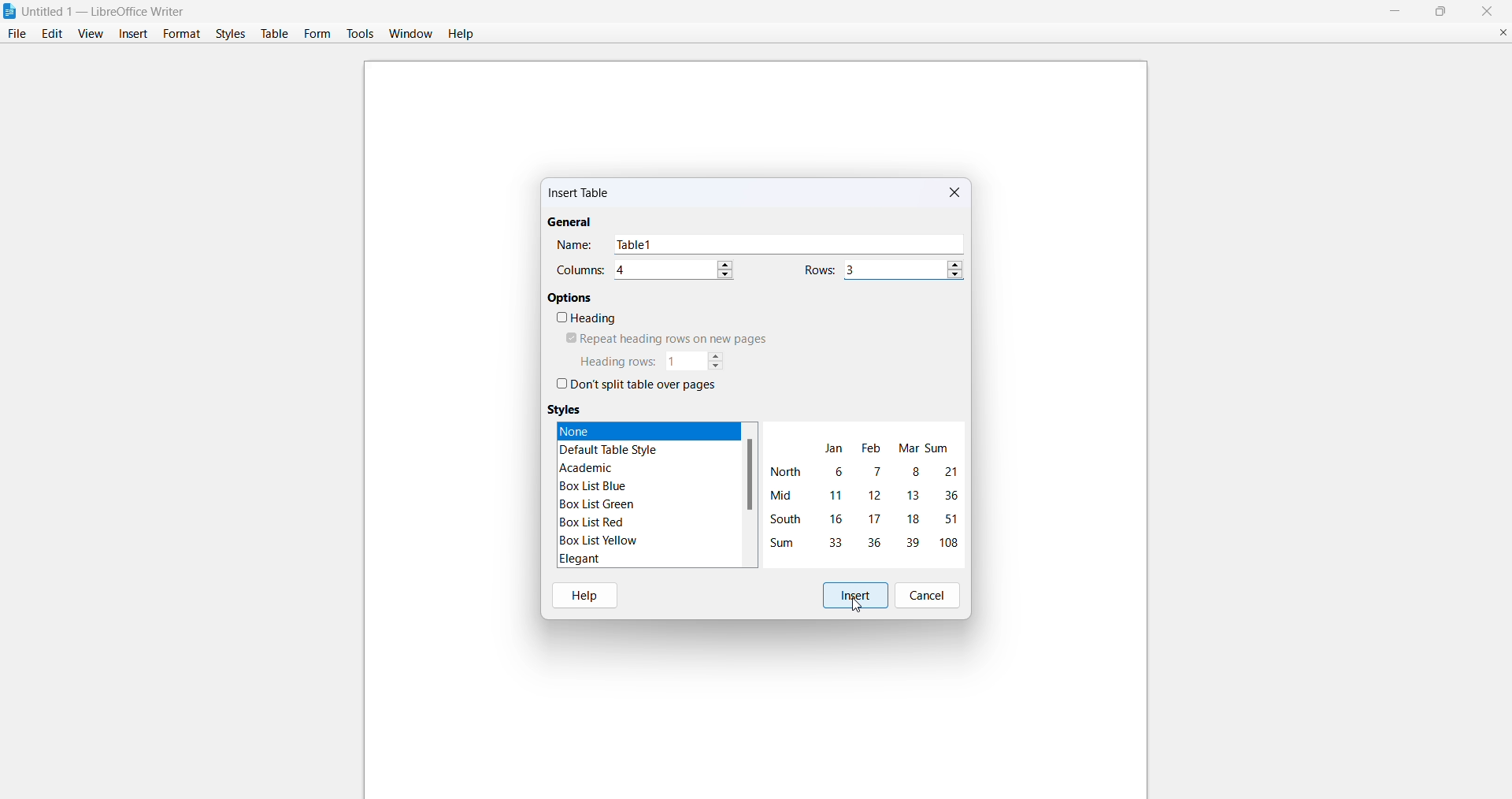 This screenshot has height=799, width=1512. What do you see at coordinates (717, 367) in the screenshot?
I see `decrease heading rows` at bounding box center [717, 367].